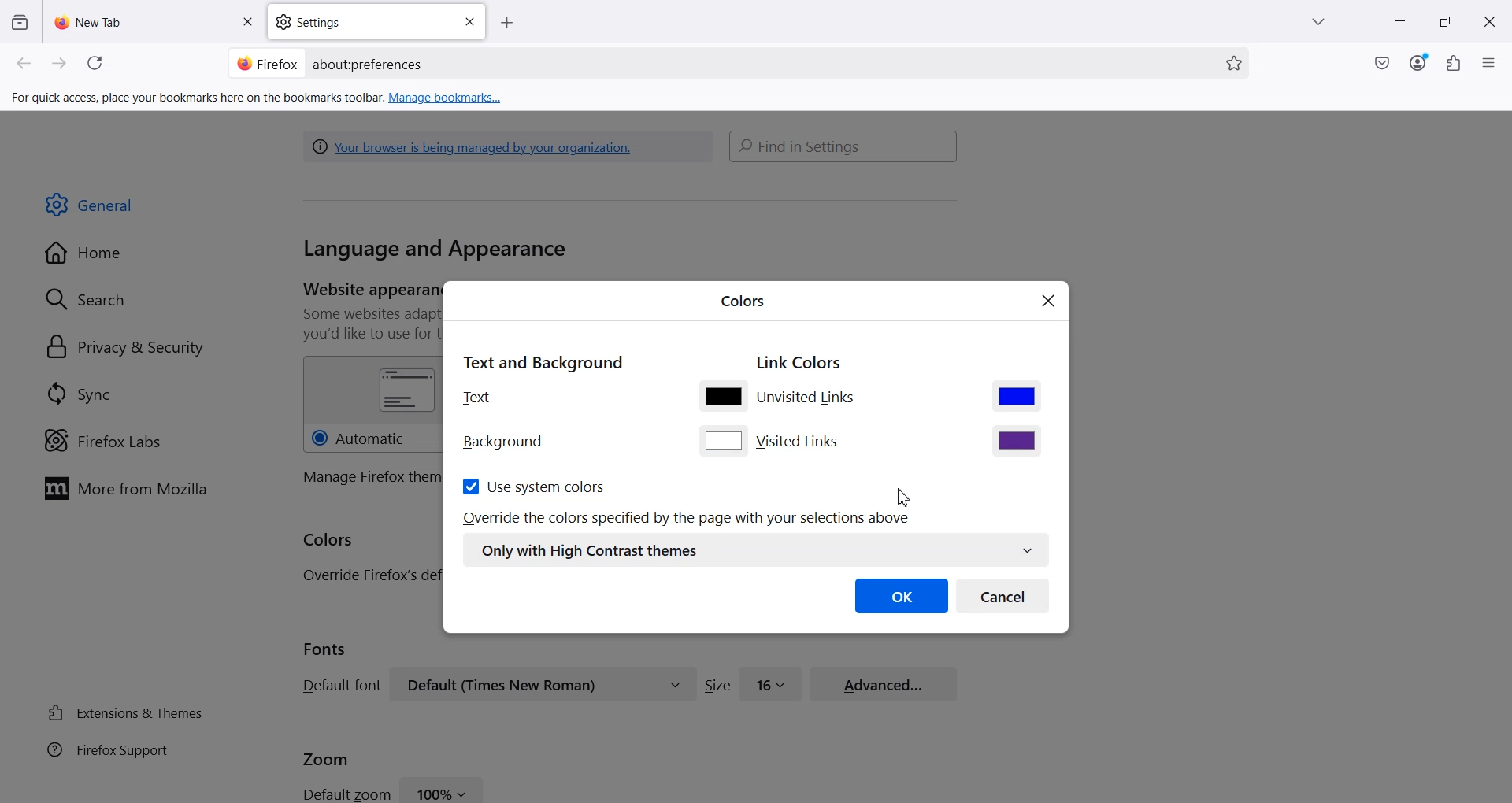  Describe the element at coordinates (884, 682) in the screenshot. I see `Advanced...` at that location.